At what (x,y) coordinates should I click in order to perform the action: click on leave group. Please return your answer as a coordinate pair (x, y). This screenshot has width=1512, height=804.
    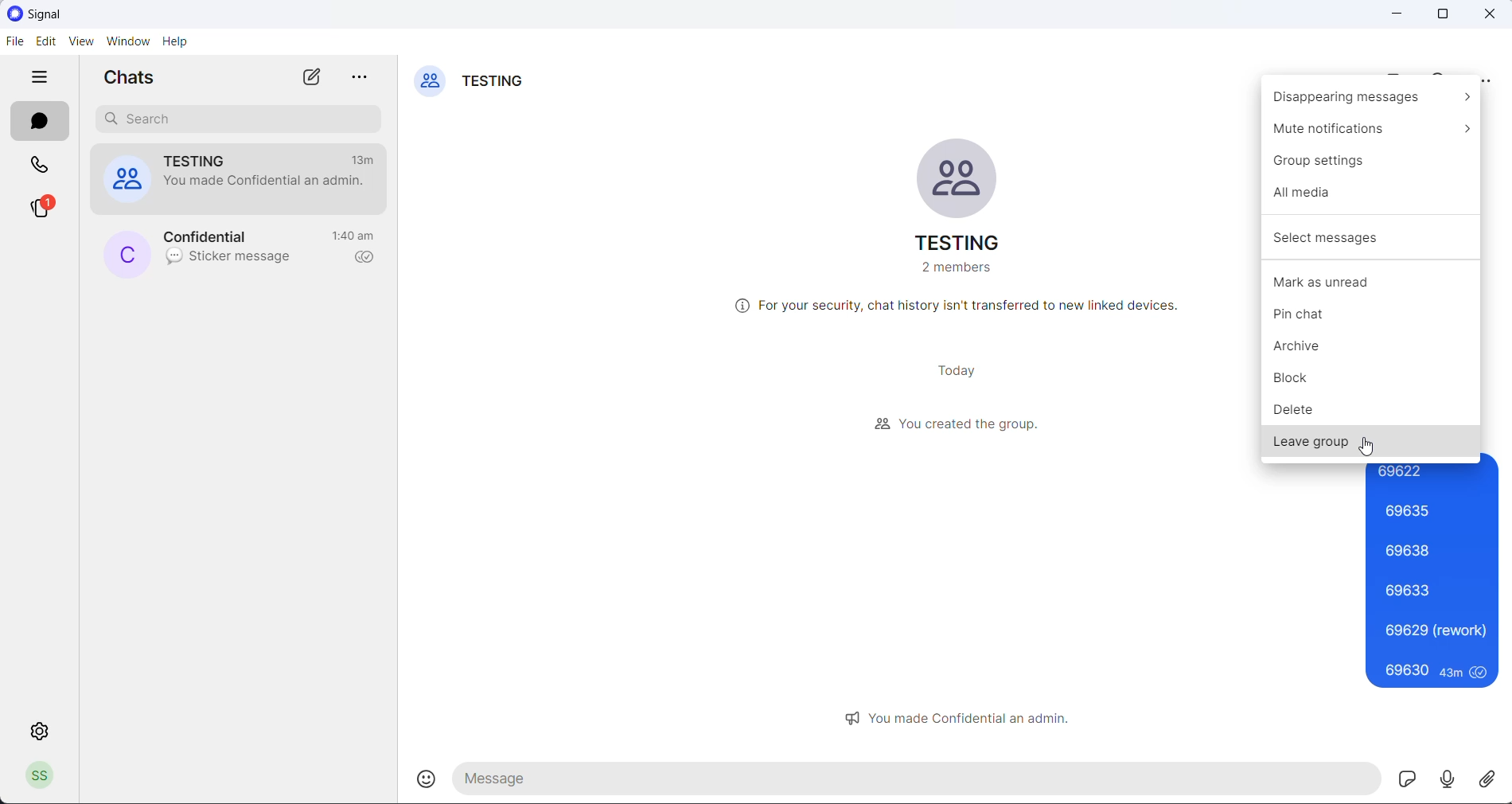
    Looking at the image, I should click on (1372, 442).